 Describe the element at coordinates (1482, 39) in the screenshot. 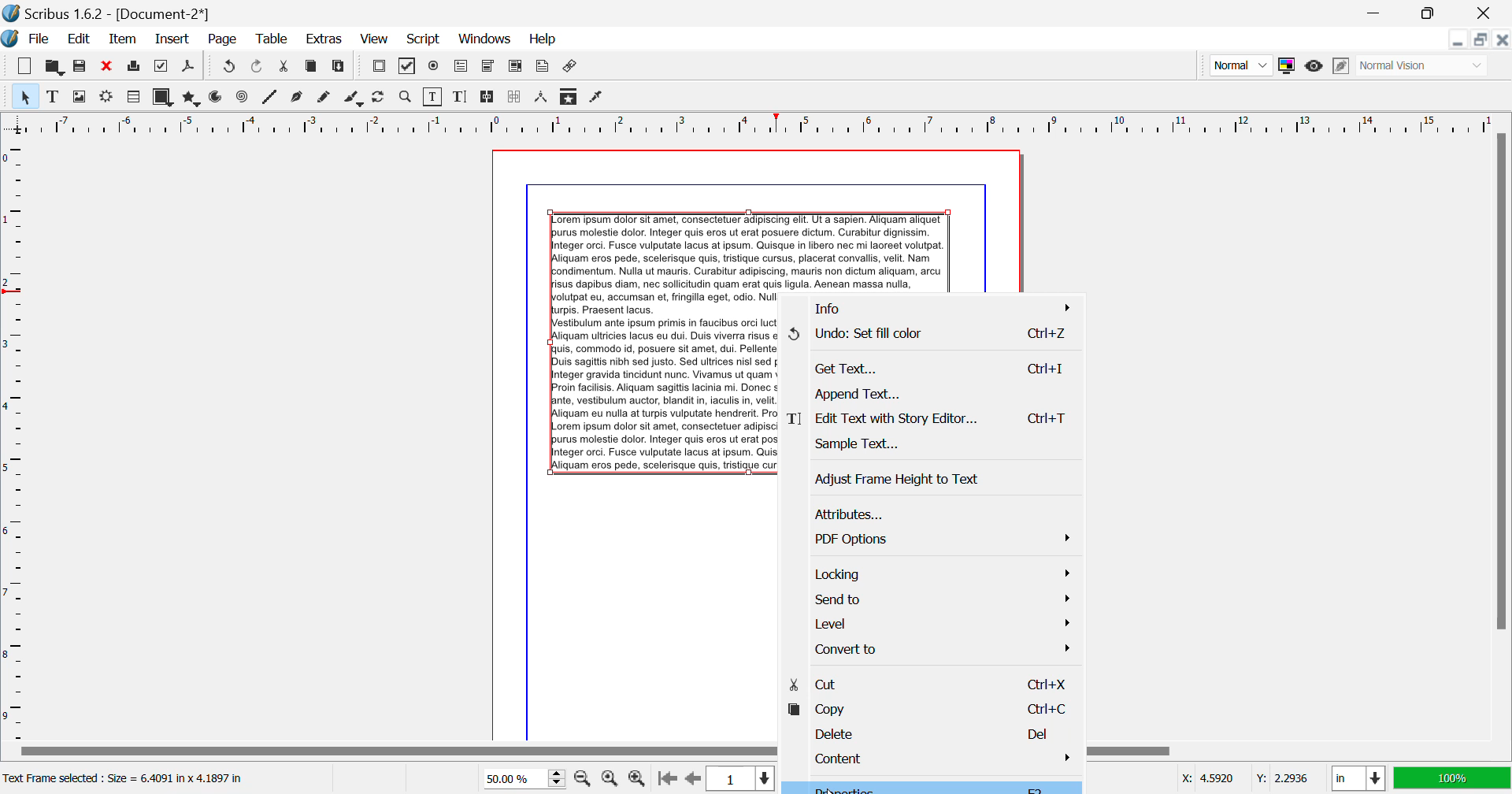

I see `Minimize` at that location.